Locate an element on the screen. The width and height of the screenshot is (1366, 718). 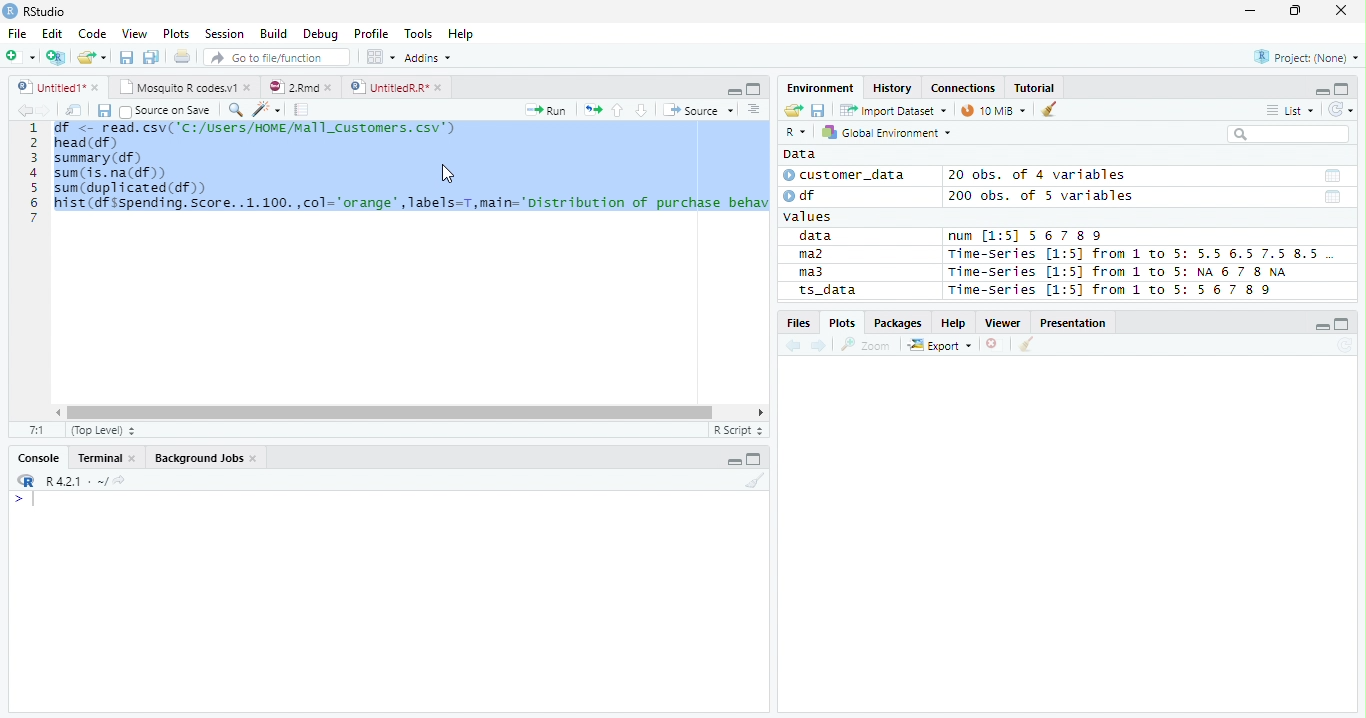
Data is located at coordinates (799, 154).